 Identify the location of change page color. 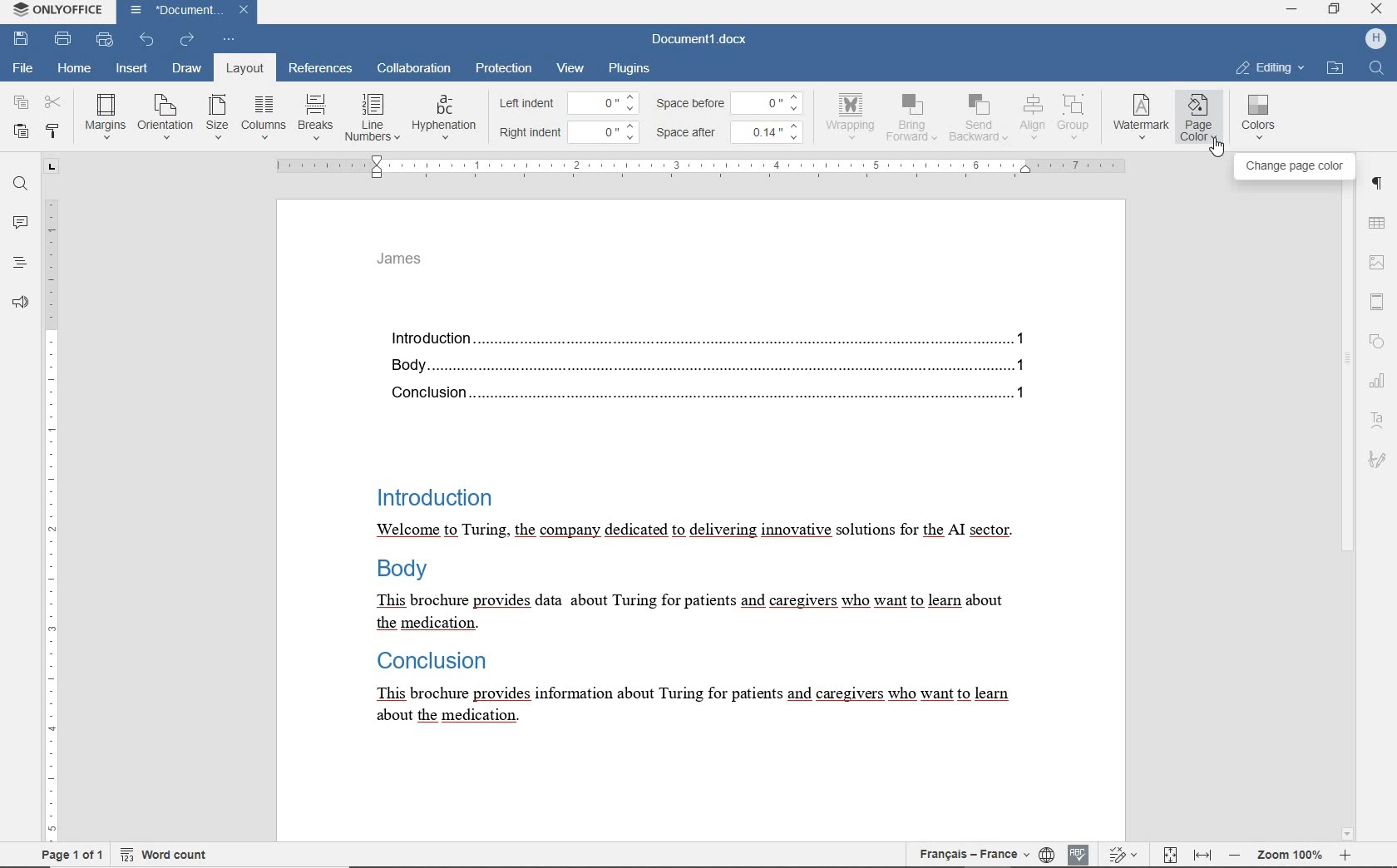
(1281, 170).